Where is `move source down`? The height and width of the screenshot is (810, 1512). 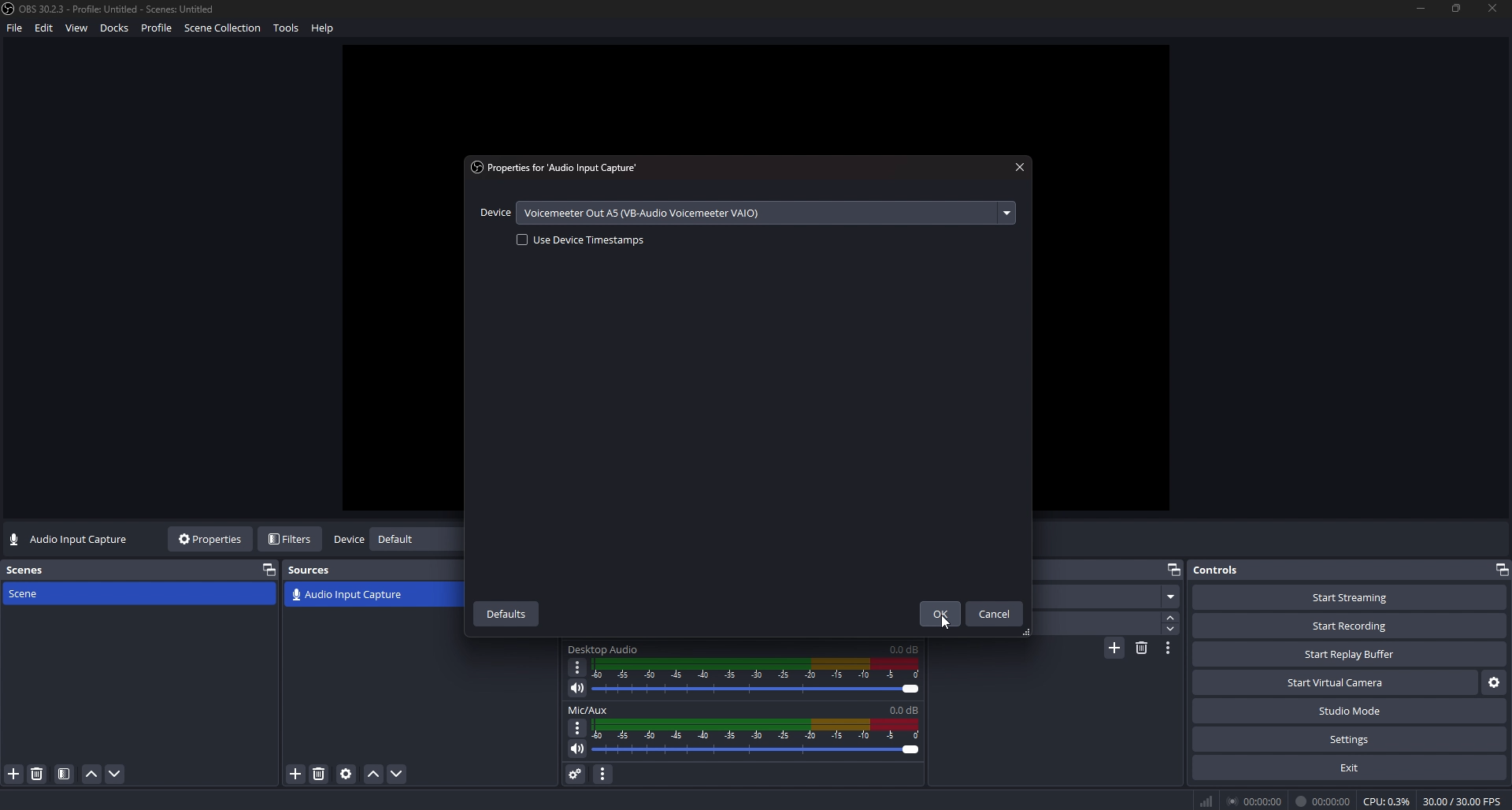 move source down is located at coordinates (395, 775).